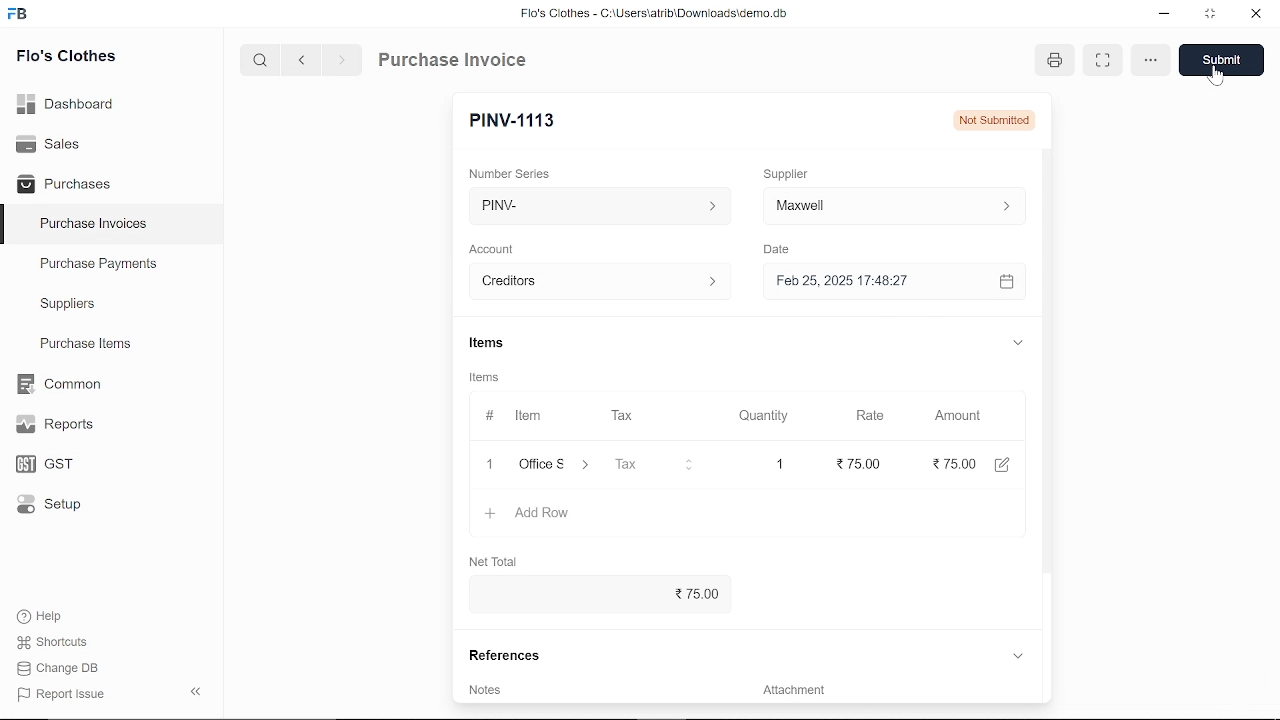  I want to click on cursor, so click(1214, 75).